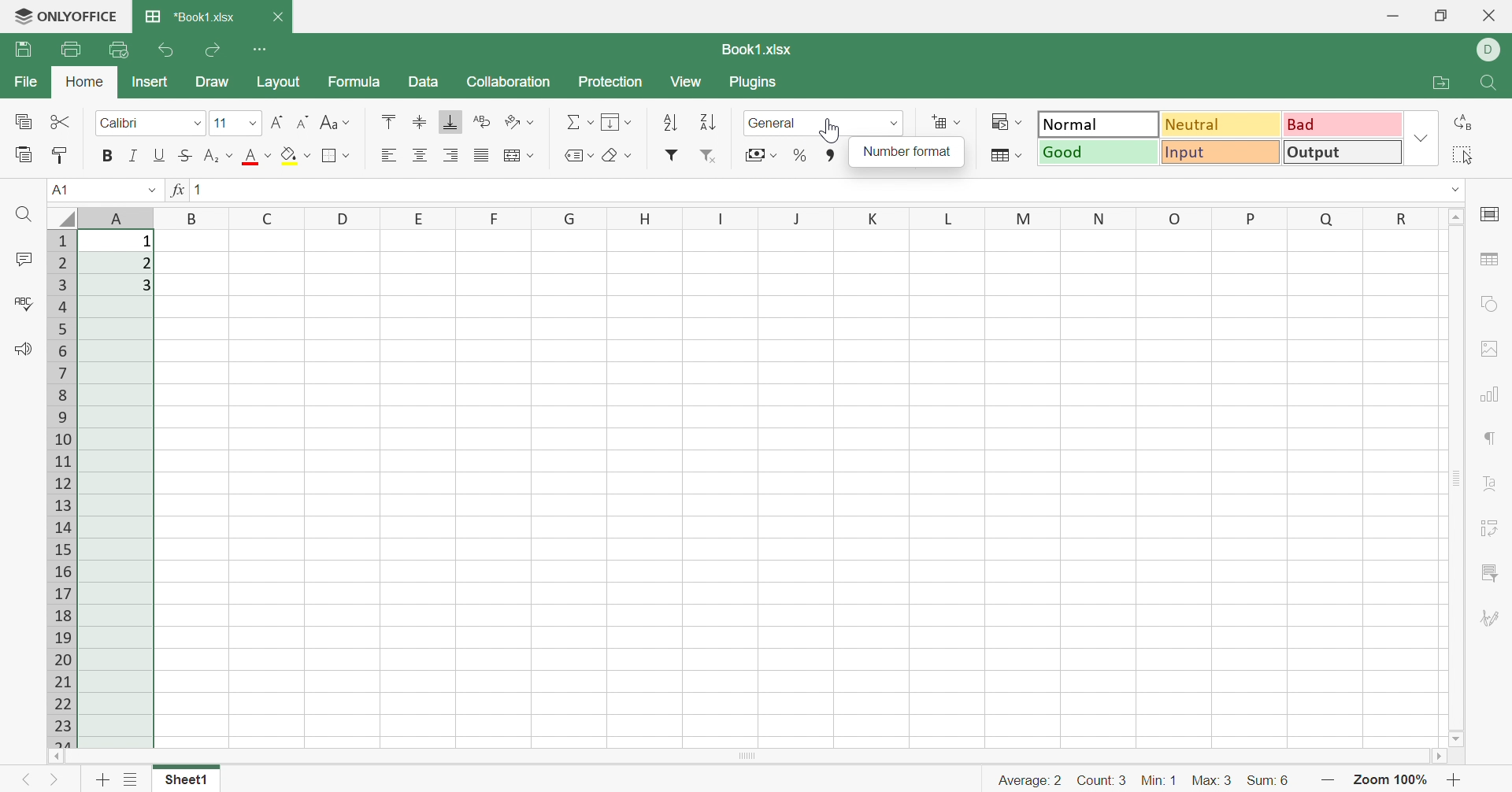  Describe the element at coordinates (188, 15) in the screenshot. I see `*Book1.xlsx` at that location.